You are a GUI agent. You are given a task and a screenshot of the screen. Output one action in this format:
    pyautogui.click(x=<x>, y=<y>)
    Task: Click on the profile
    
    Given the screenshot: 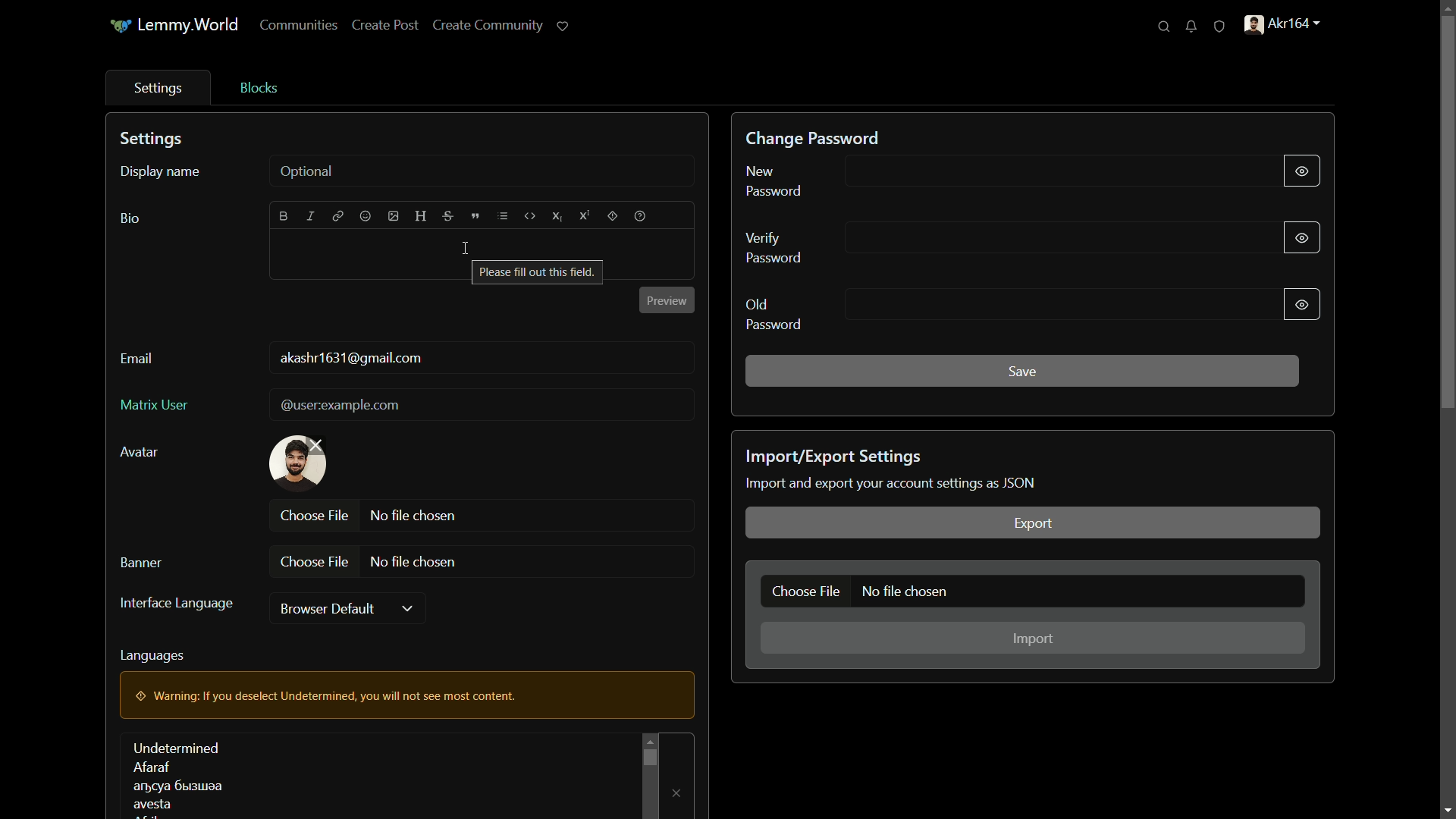 What is the action you would take?
    pyautogui.click(x=1284, y=25)
    